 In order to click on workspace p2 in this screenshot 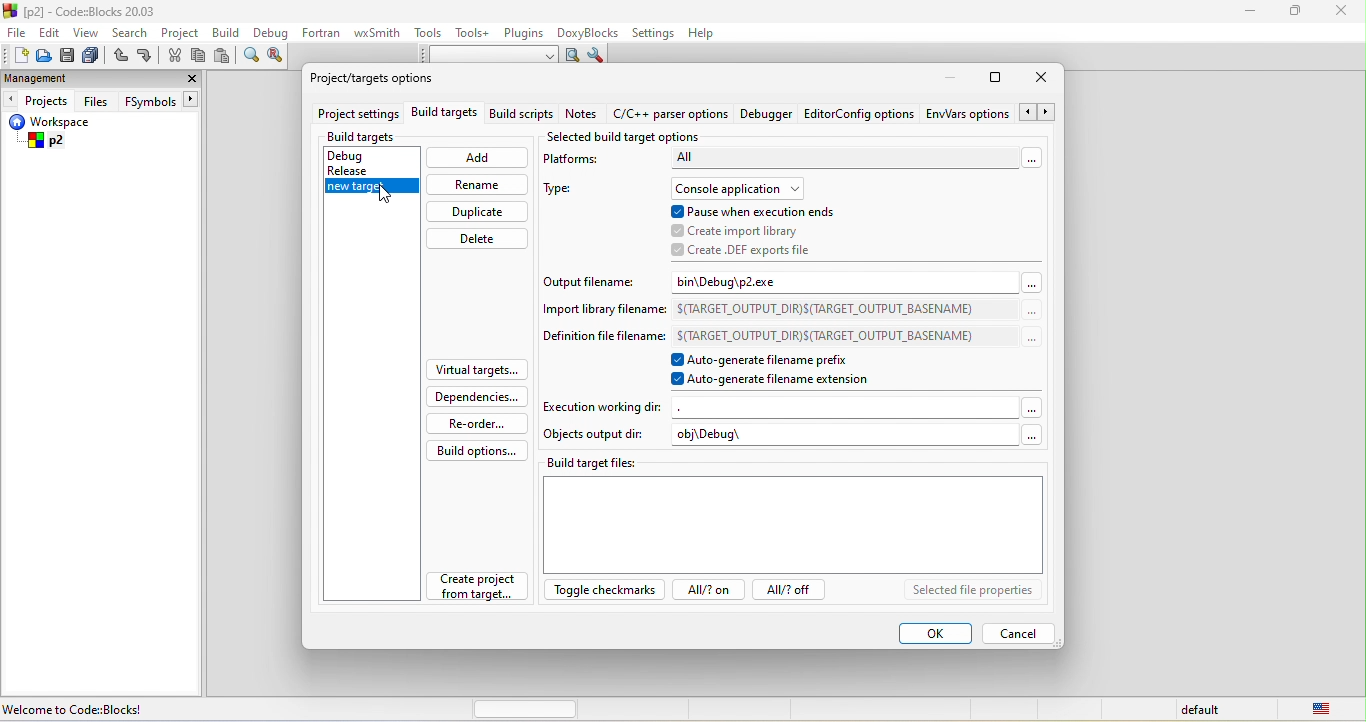, I will do `click(63, 134)`.